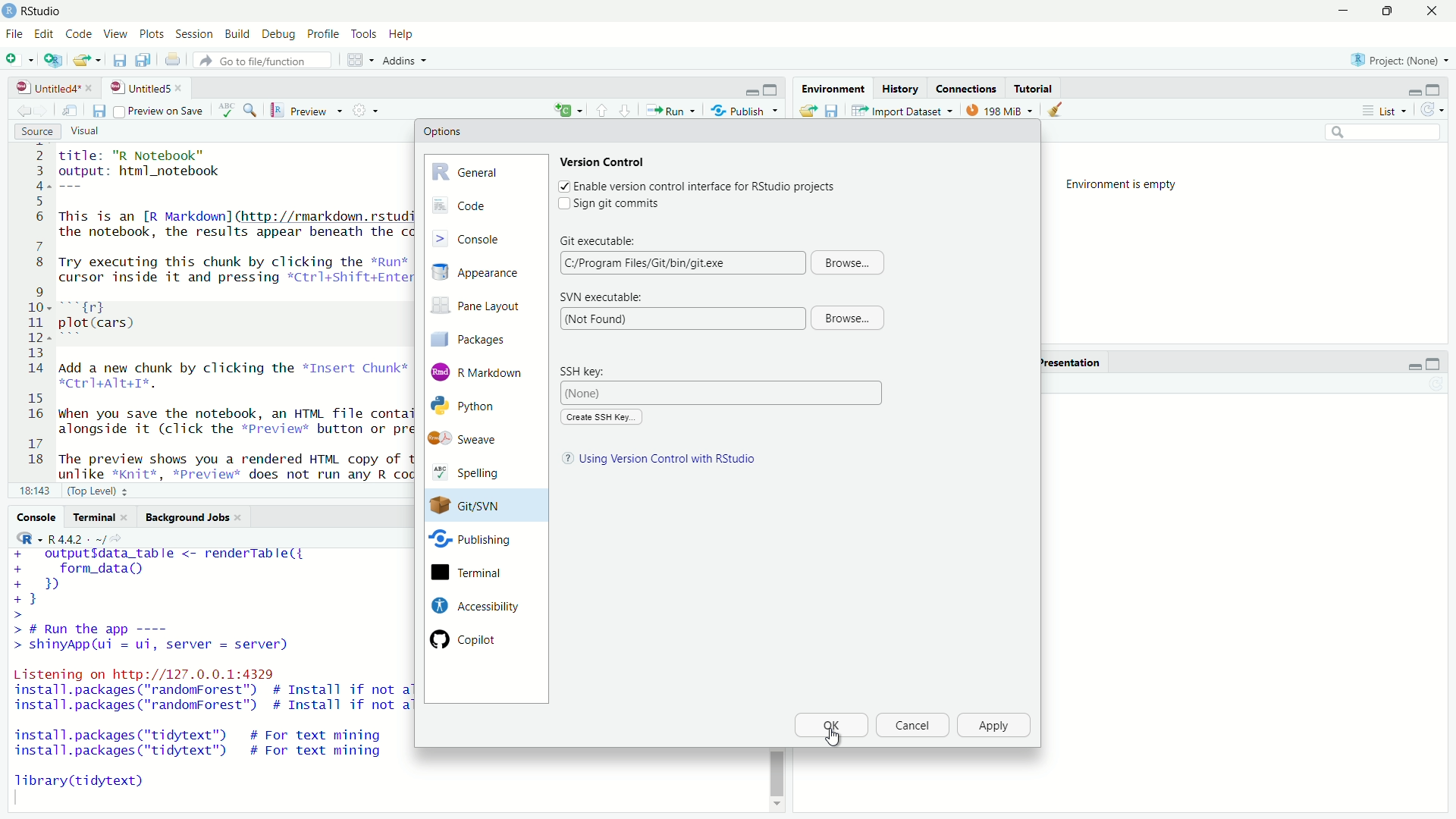 Image resolution: width=1456 pixels, height=819 pixels. Describe the element at coordinates (1385, 133) in the screenshot. I see `search` at that location.